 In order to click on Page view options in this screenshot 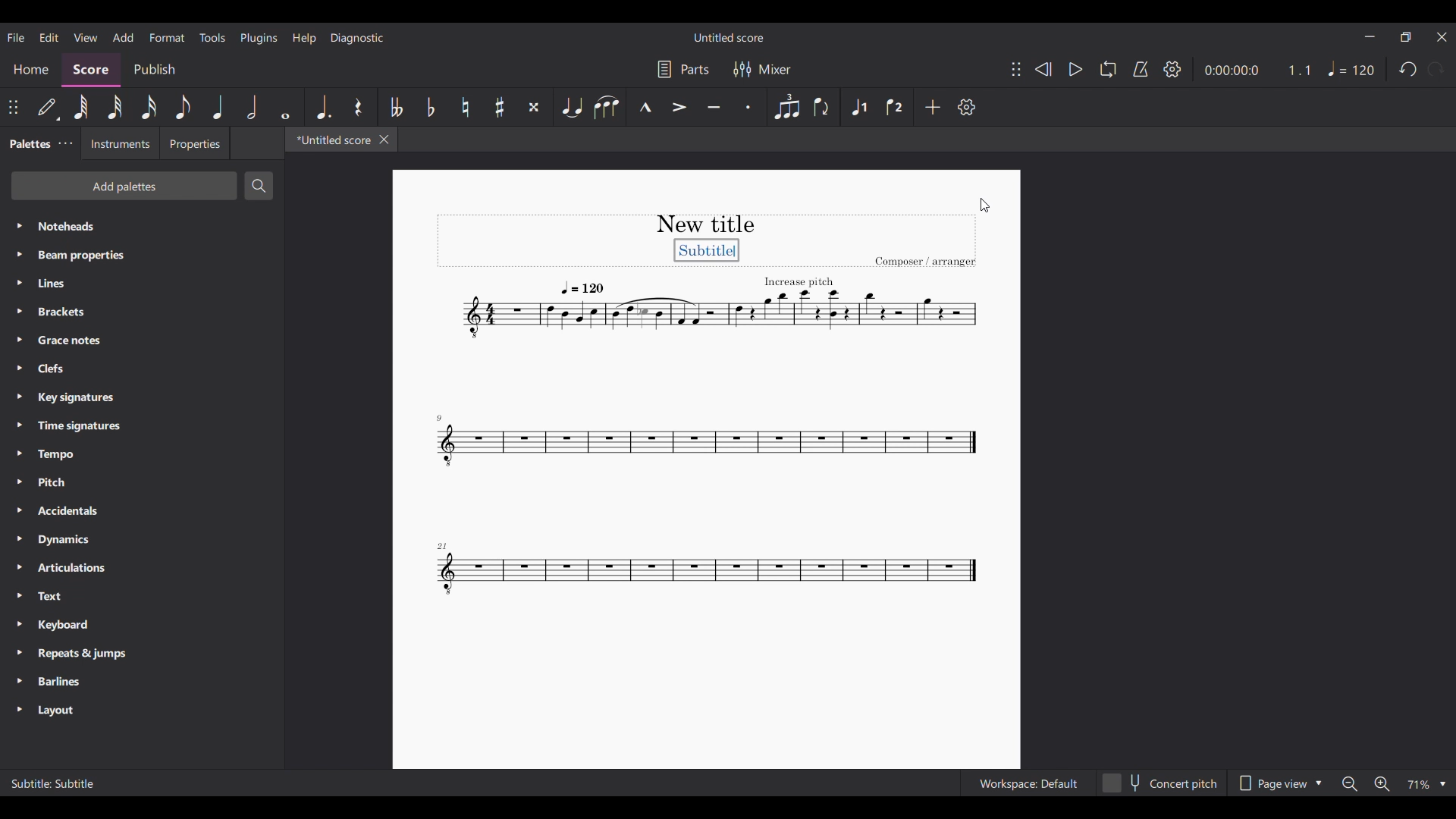, I will do `click(1277, 783)`.